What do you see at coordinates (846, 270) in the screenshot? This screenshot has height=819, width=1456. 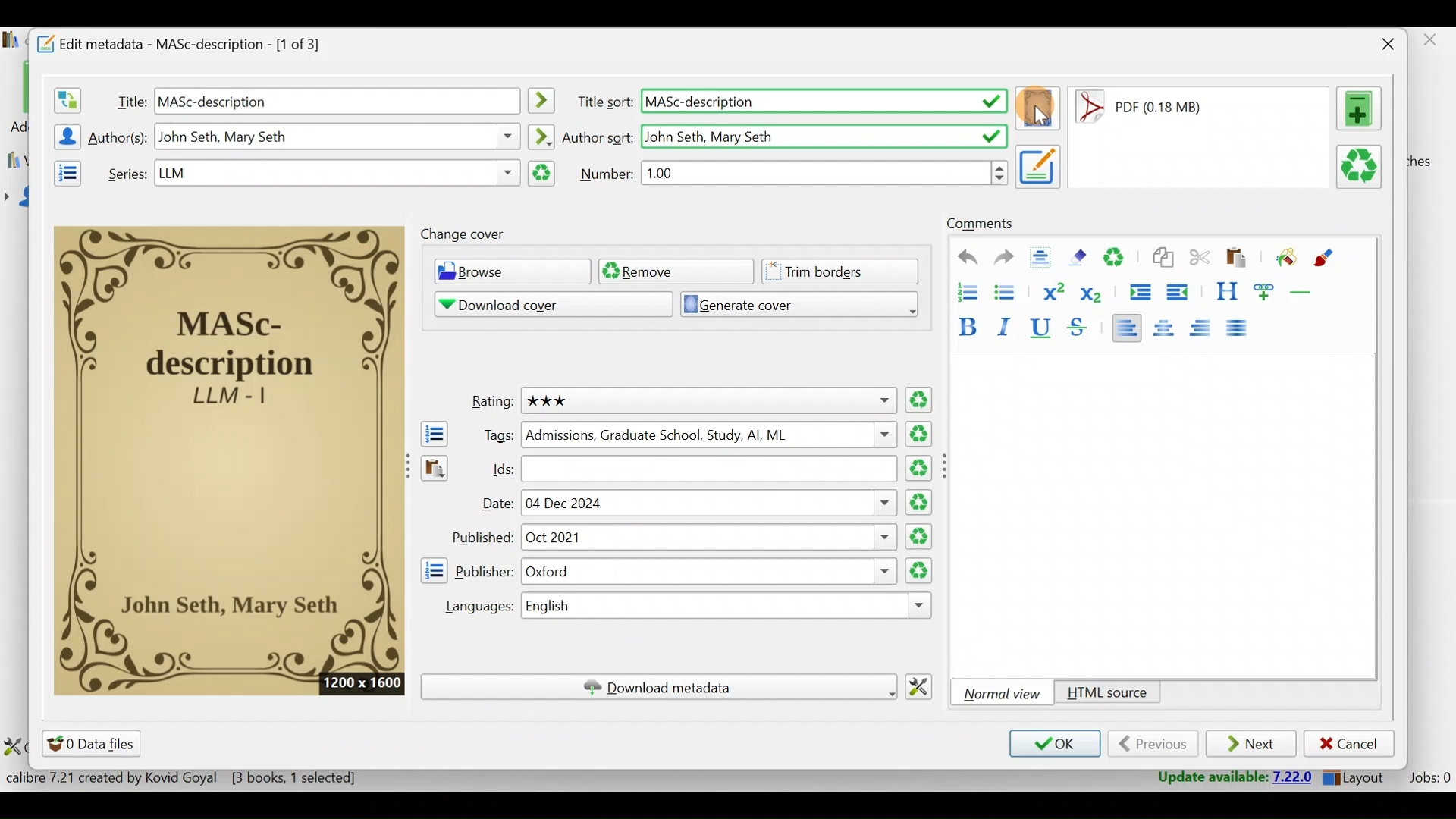 I see `Trim borders` at bounding box center [846, 270].